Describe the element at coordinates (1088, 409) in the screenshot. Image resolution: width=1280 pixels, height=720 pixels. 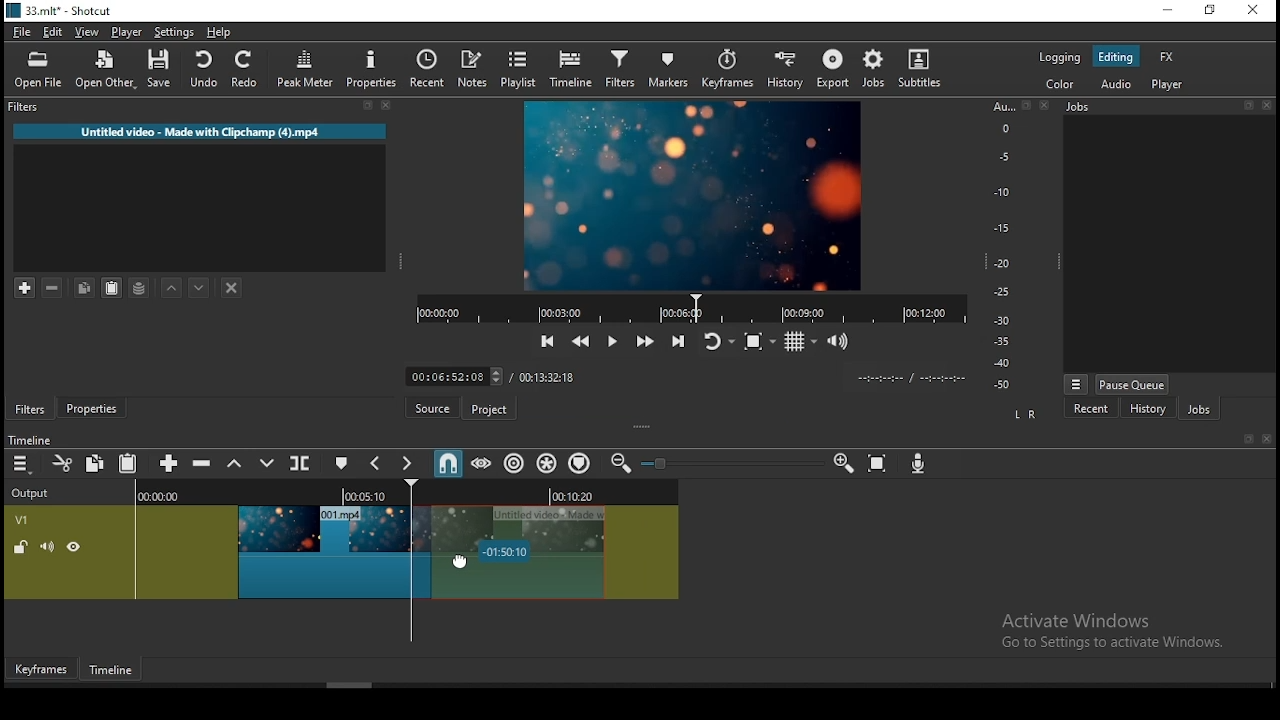
I see `recent` at that location.